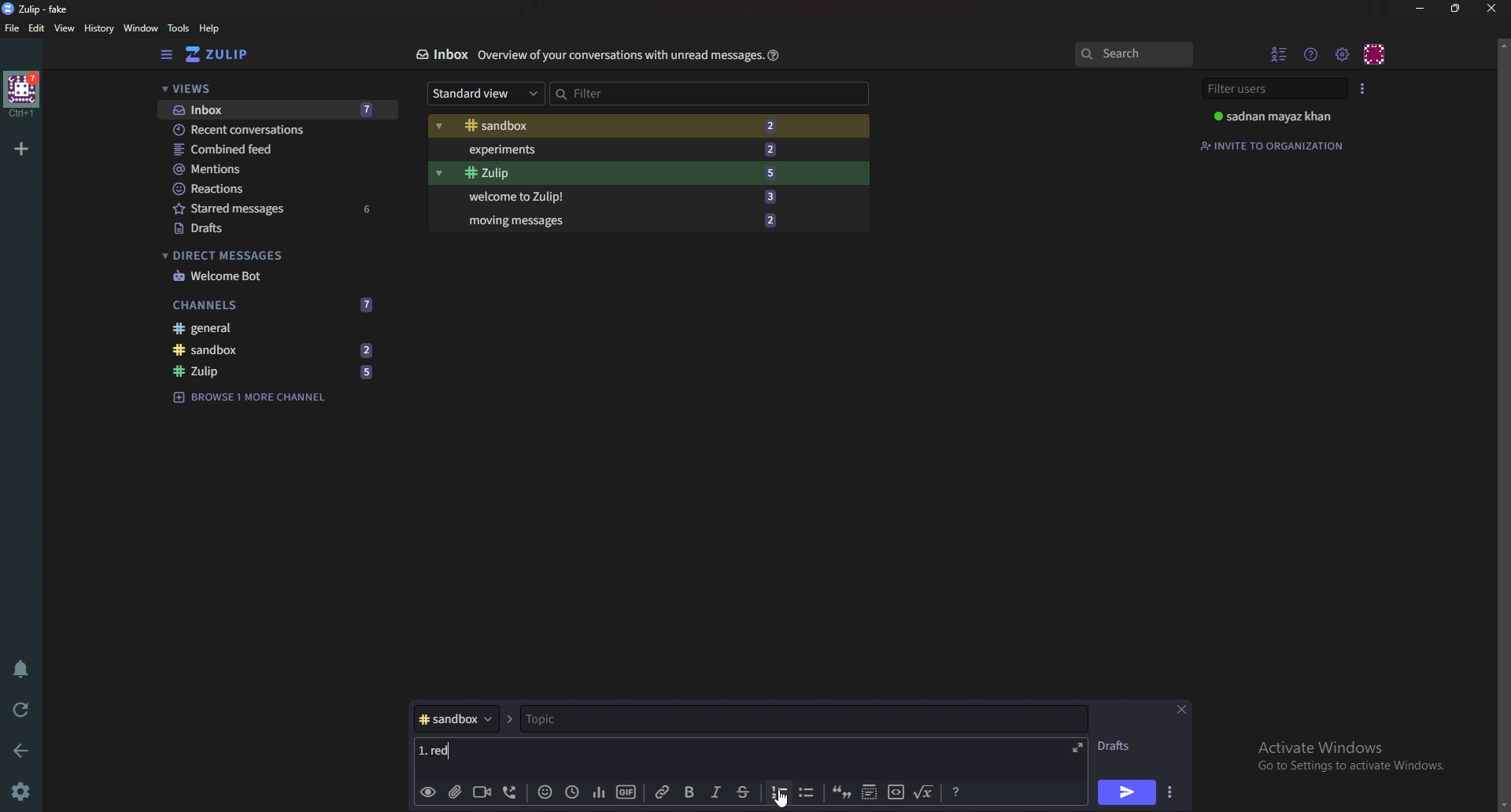  What do you see at coordinates (481, 94) in the screenshot?
I see `Standard view` at bounding box center [481, 94].